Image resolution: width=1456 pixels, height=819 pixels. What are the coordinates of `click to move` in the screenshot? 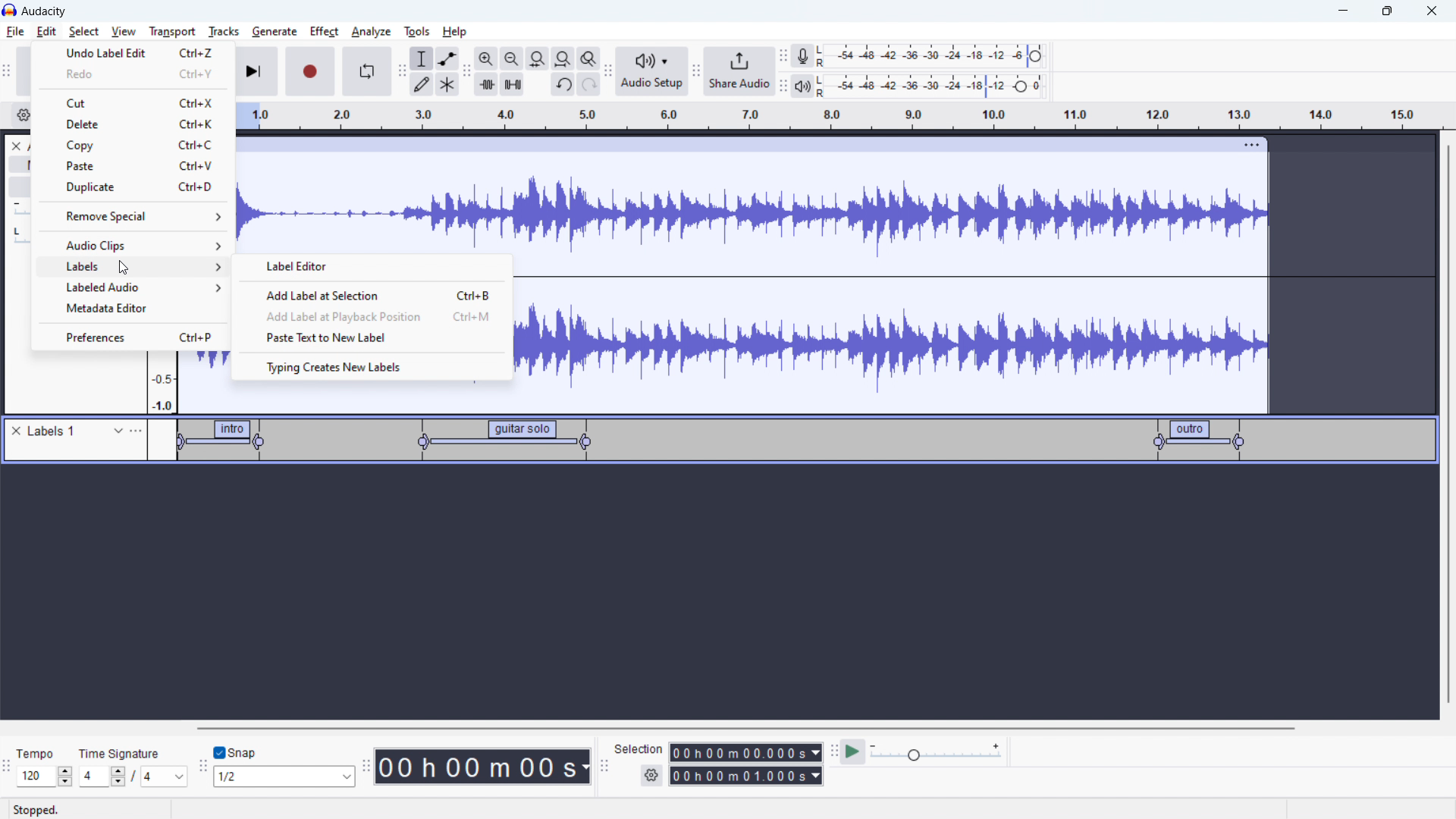 It's located at (735, 145).